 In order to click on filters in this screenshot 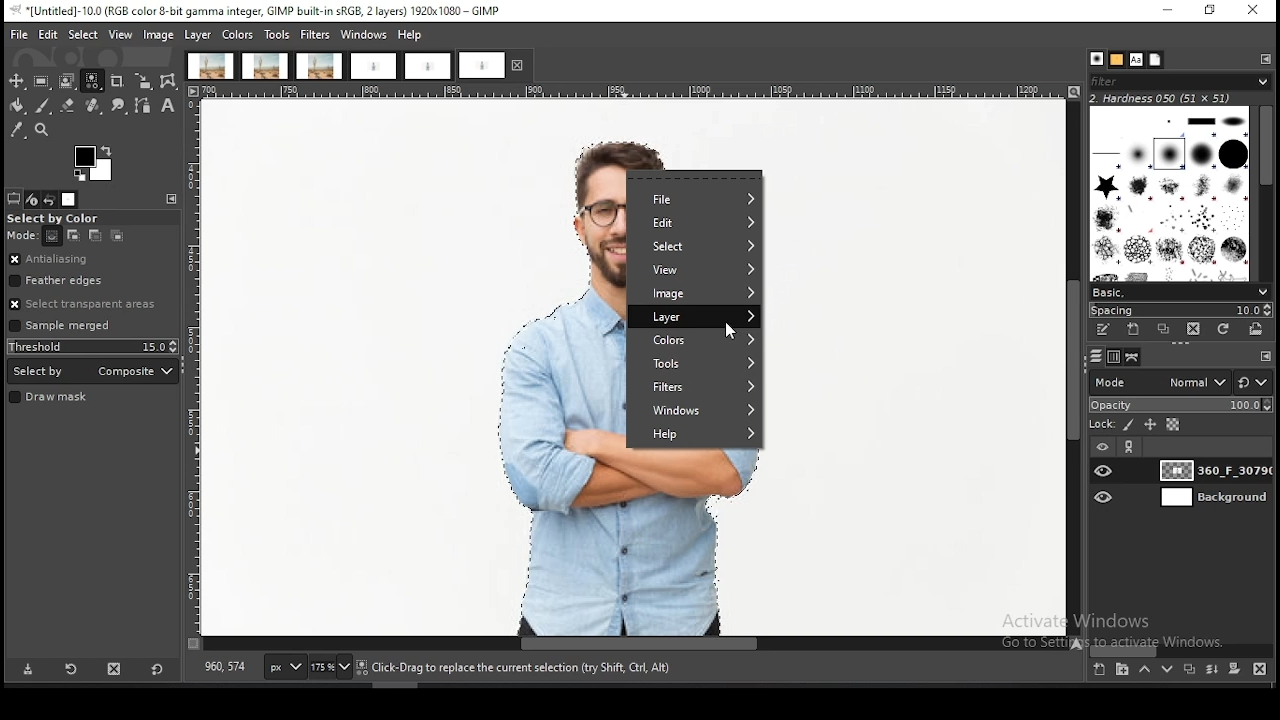, I will do `click(696, 388)`.